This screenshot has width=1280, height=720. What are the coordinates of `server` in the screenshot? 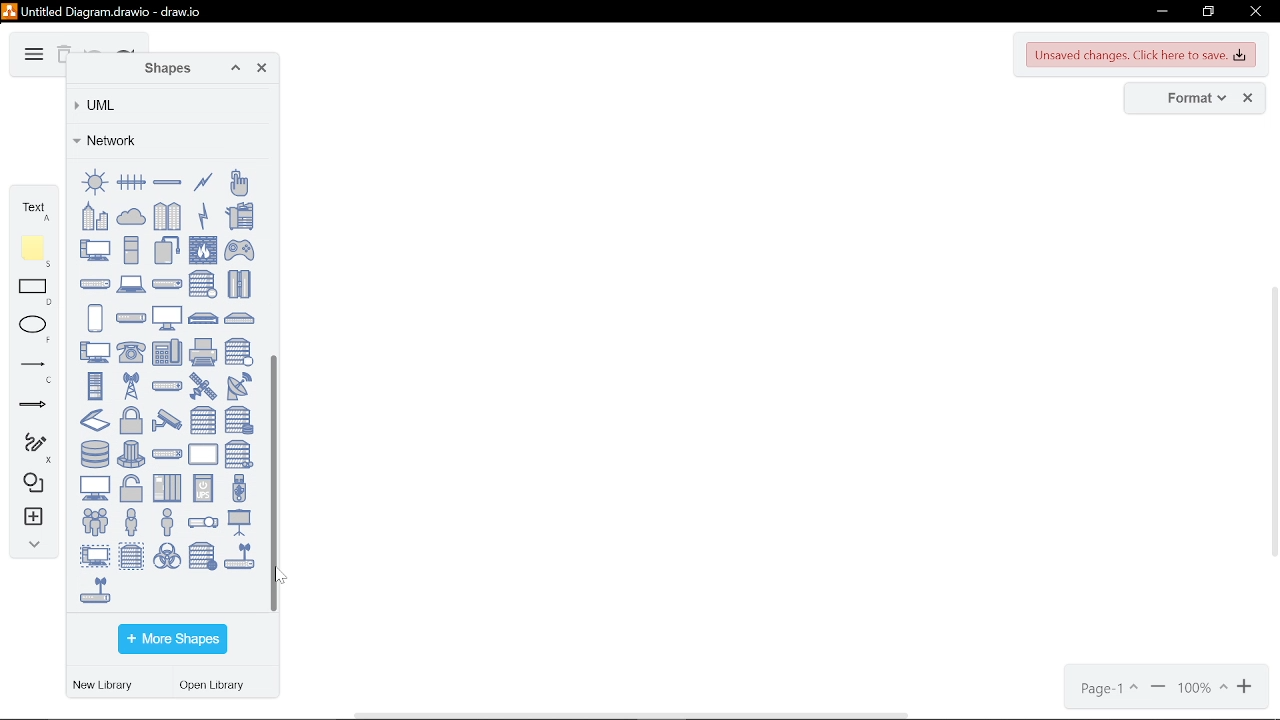 It's located at (203, 420).